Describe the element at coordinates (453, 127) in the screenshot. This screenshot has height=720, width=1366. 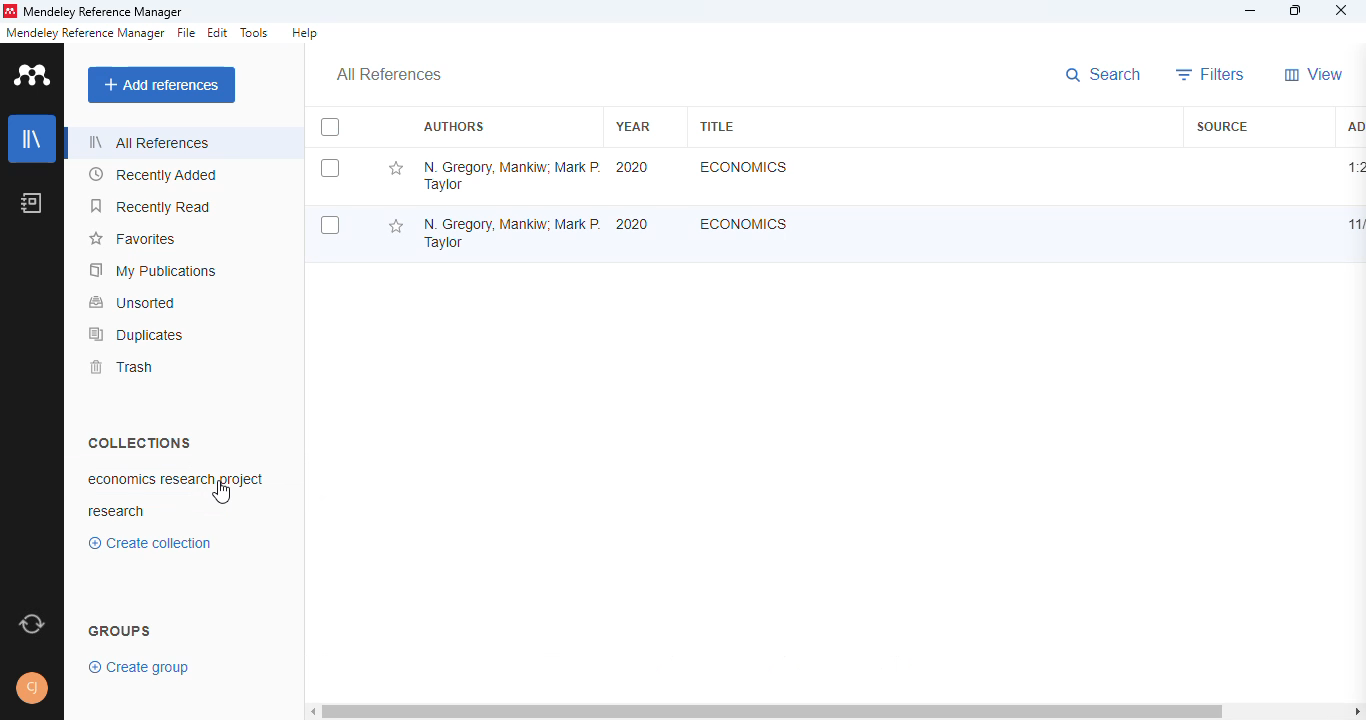
I see `authors` at that location.